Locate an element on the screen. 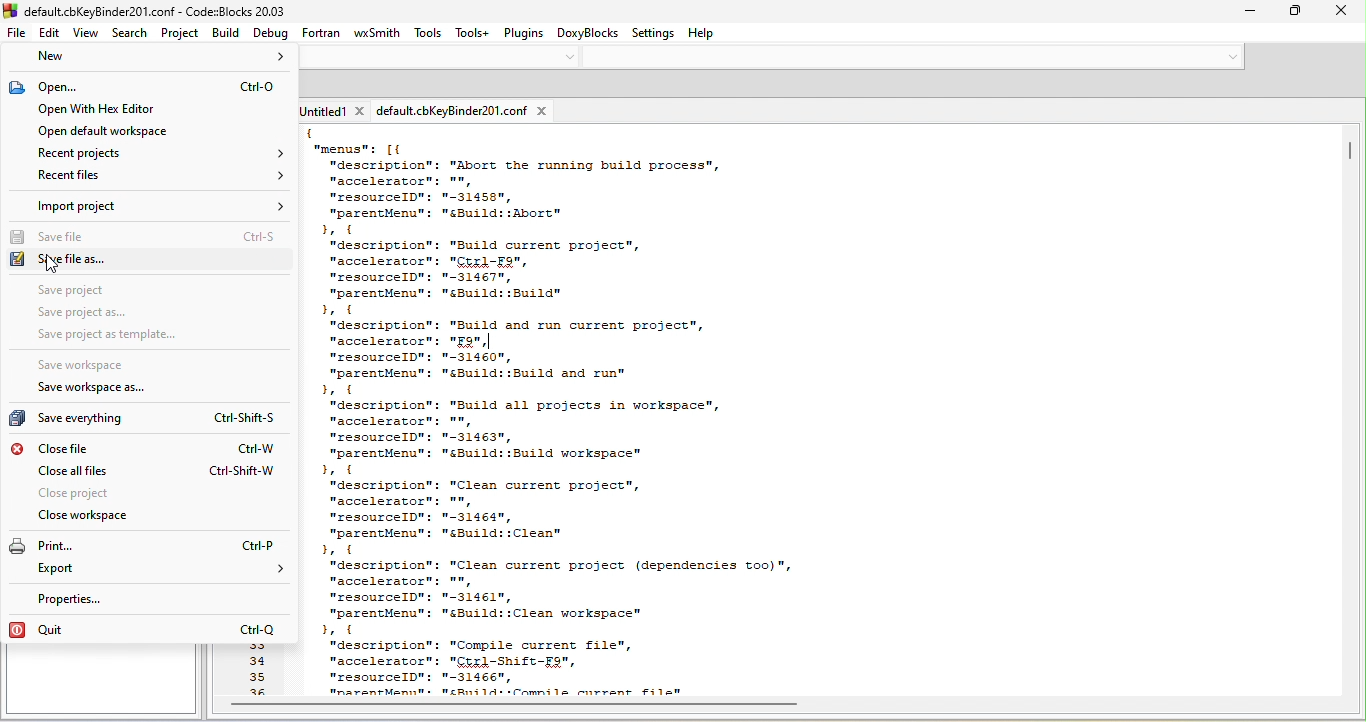  properties is located at coordinates (89, 603).